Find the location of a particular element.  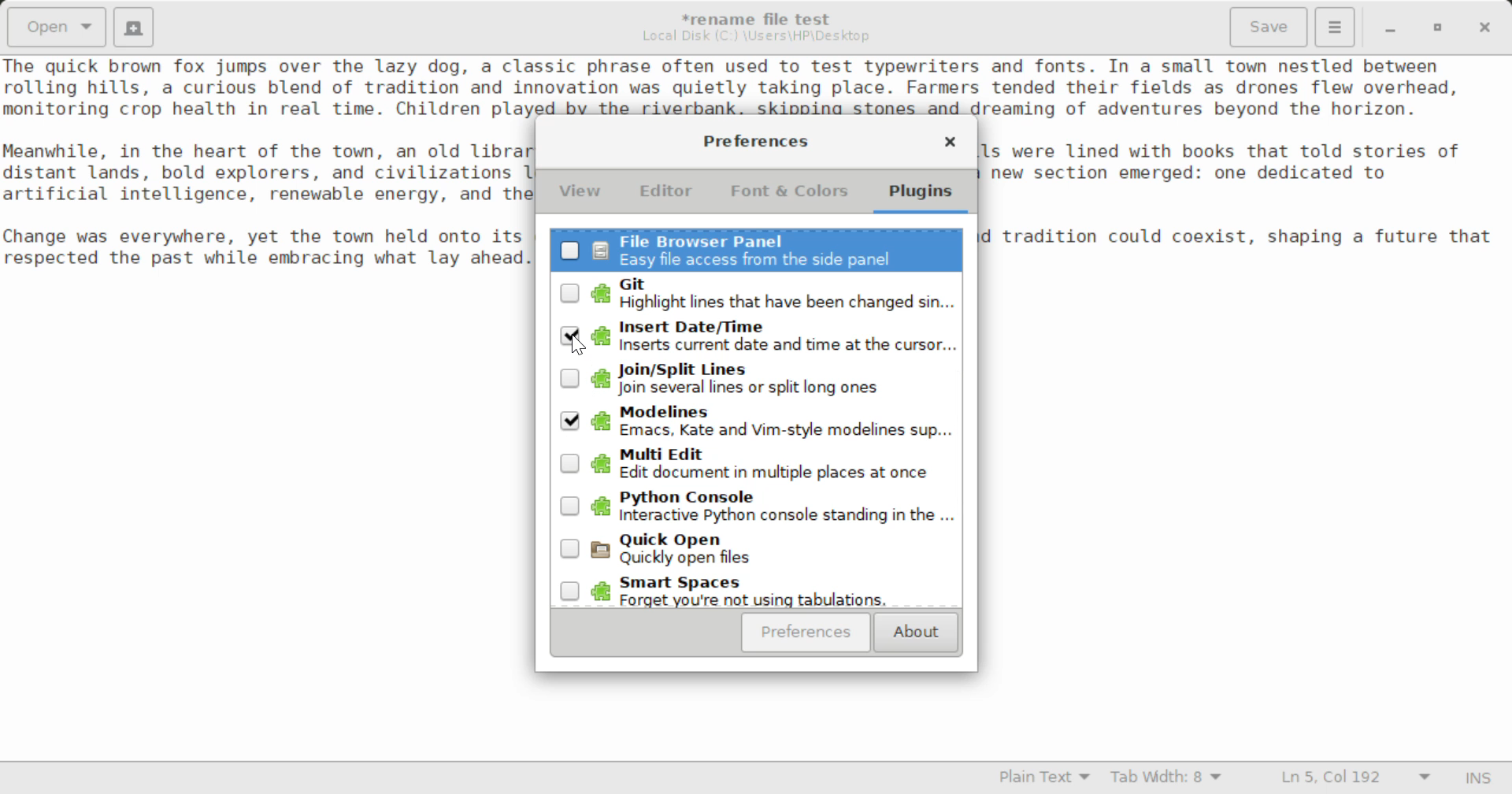

About is located at coordinates (913, 633).